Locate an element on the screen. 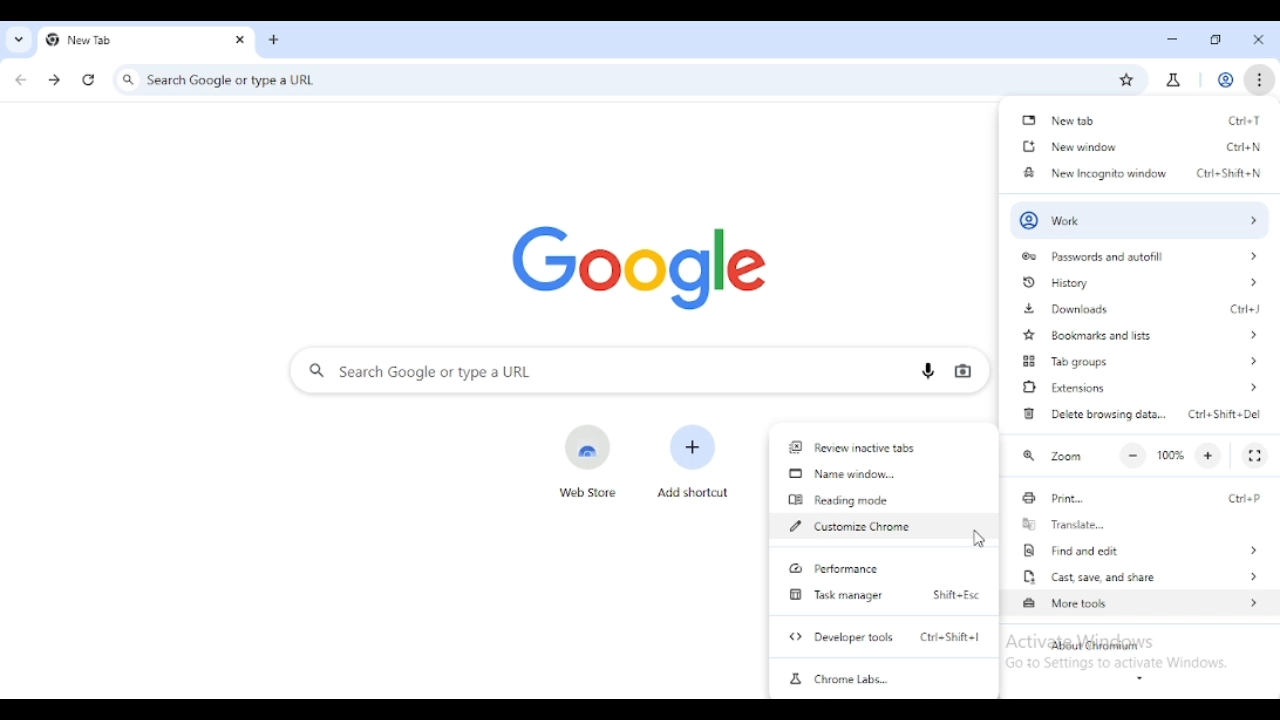 This screenshot has width=1280, height=720. shortcut for downloads is located at coordinates (1242, 308).